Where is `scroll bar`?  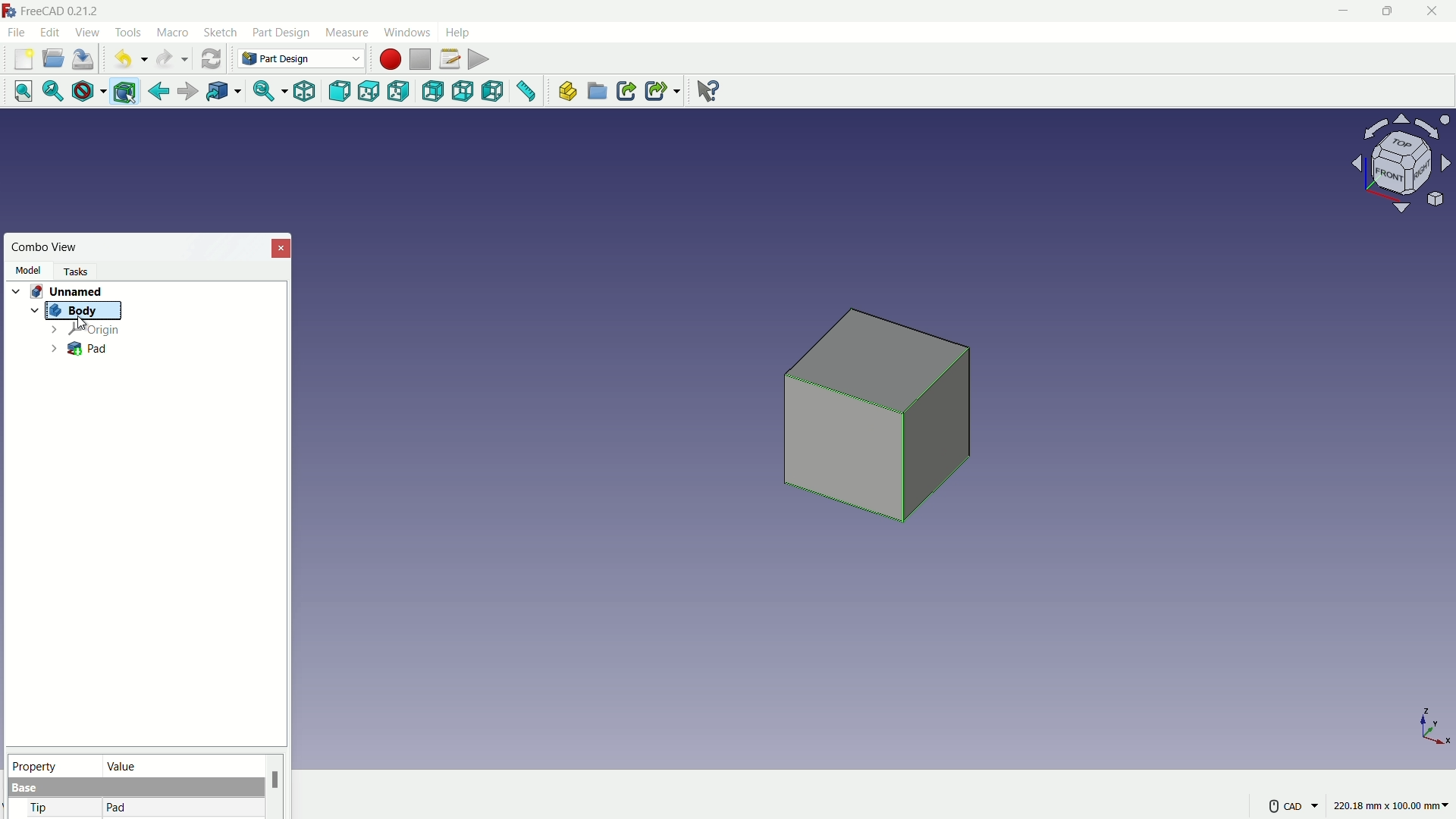
scroll bar is located at coordinates (275, 786).